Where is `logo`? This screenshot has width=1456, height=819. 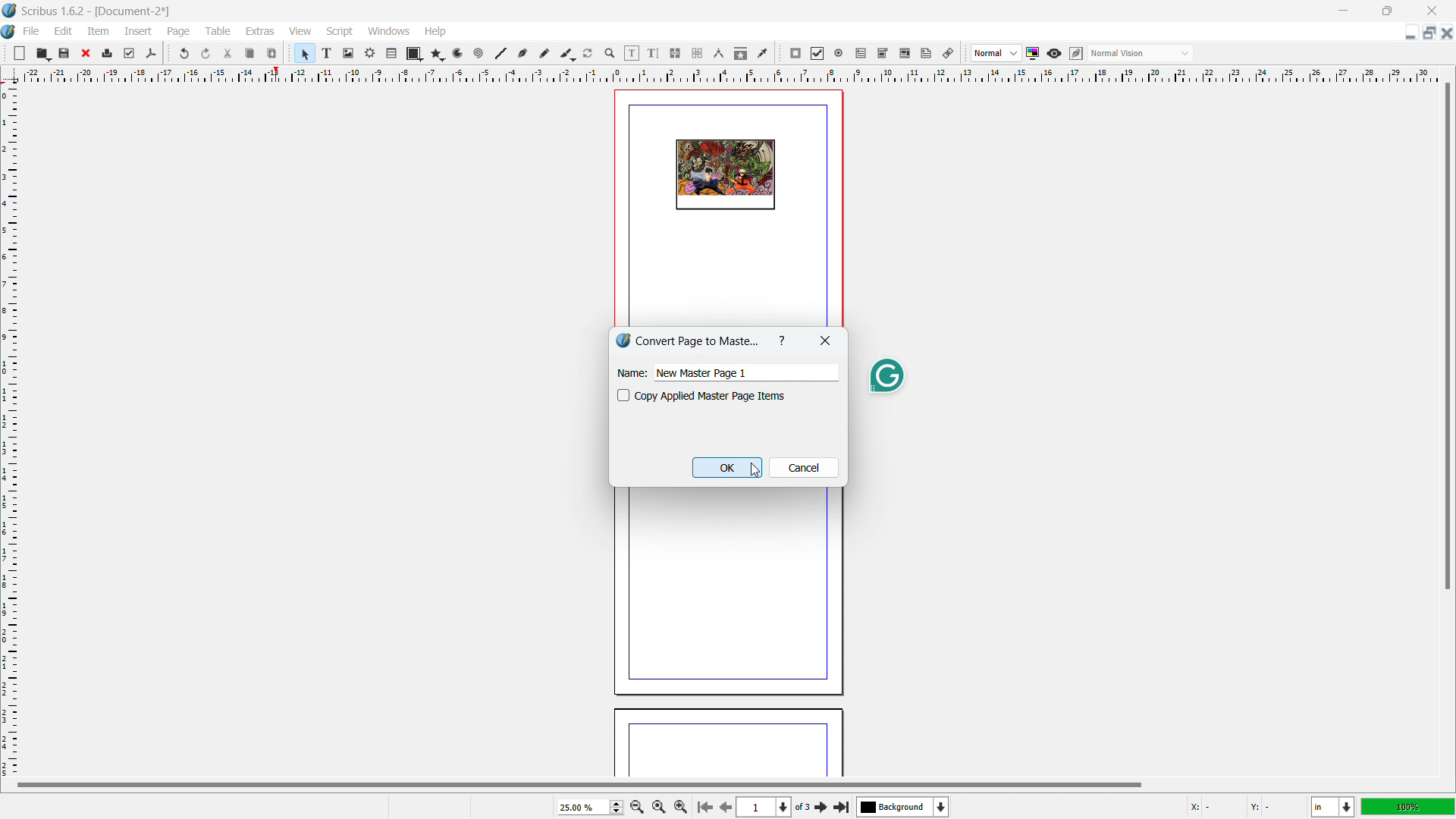 logo is located at coordinates (10, 11).